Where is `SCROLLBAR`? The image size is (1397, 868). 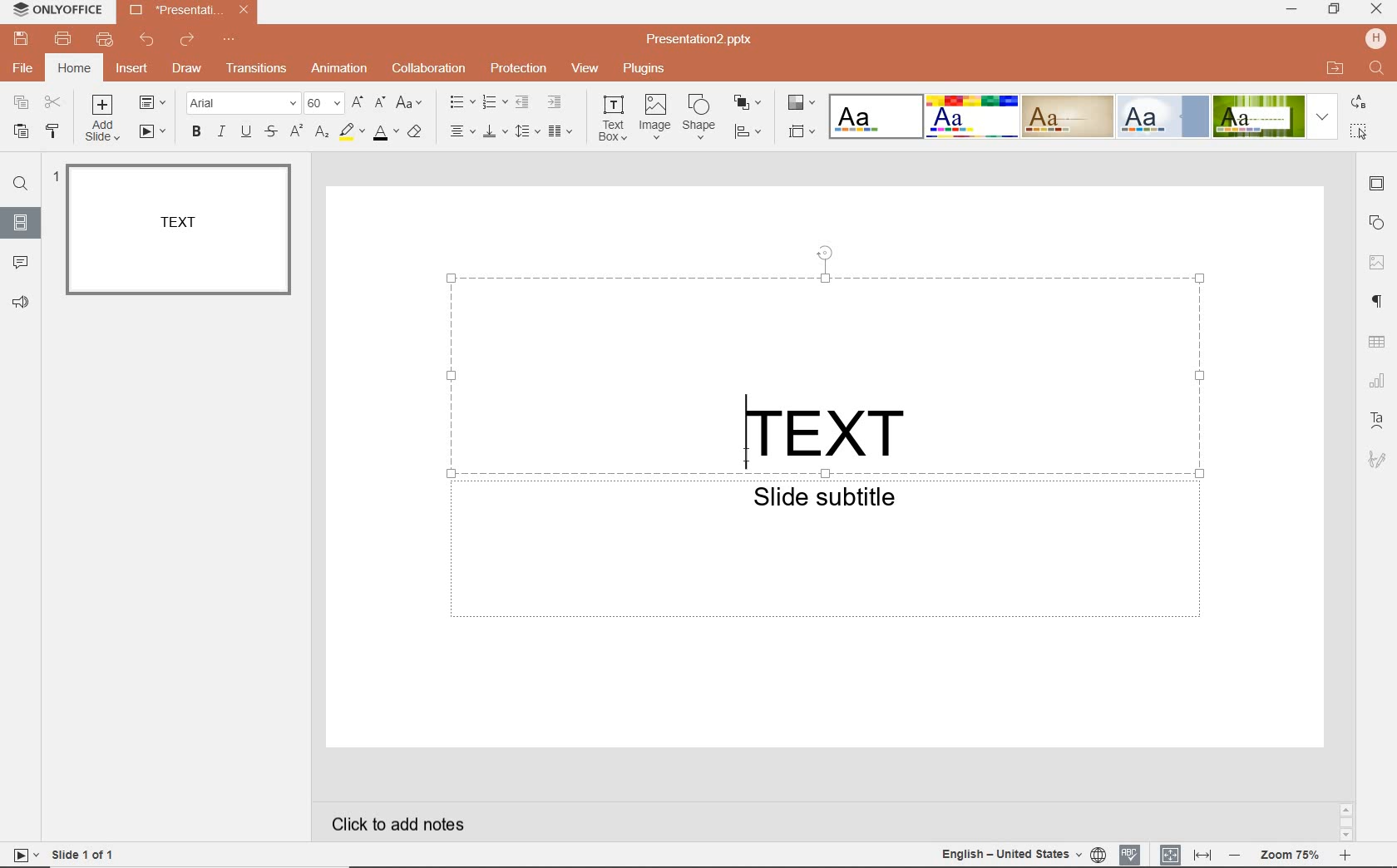 SCROLLBAR is located at coordinates (1345, 821).